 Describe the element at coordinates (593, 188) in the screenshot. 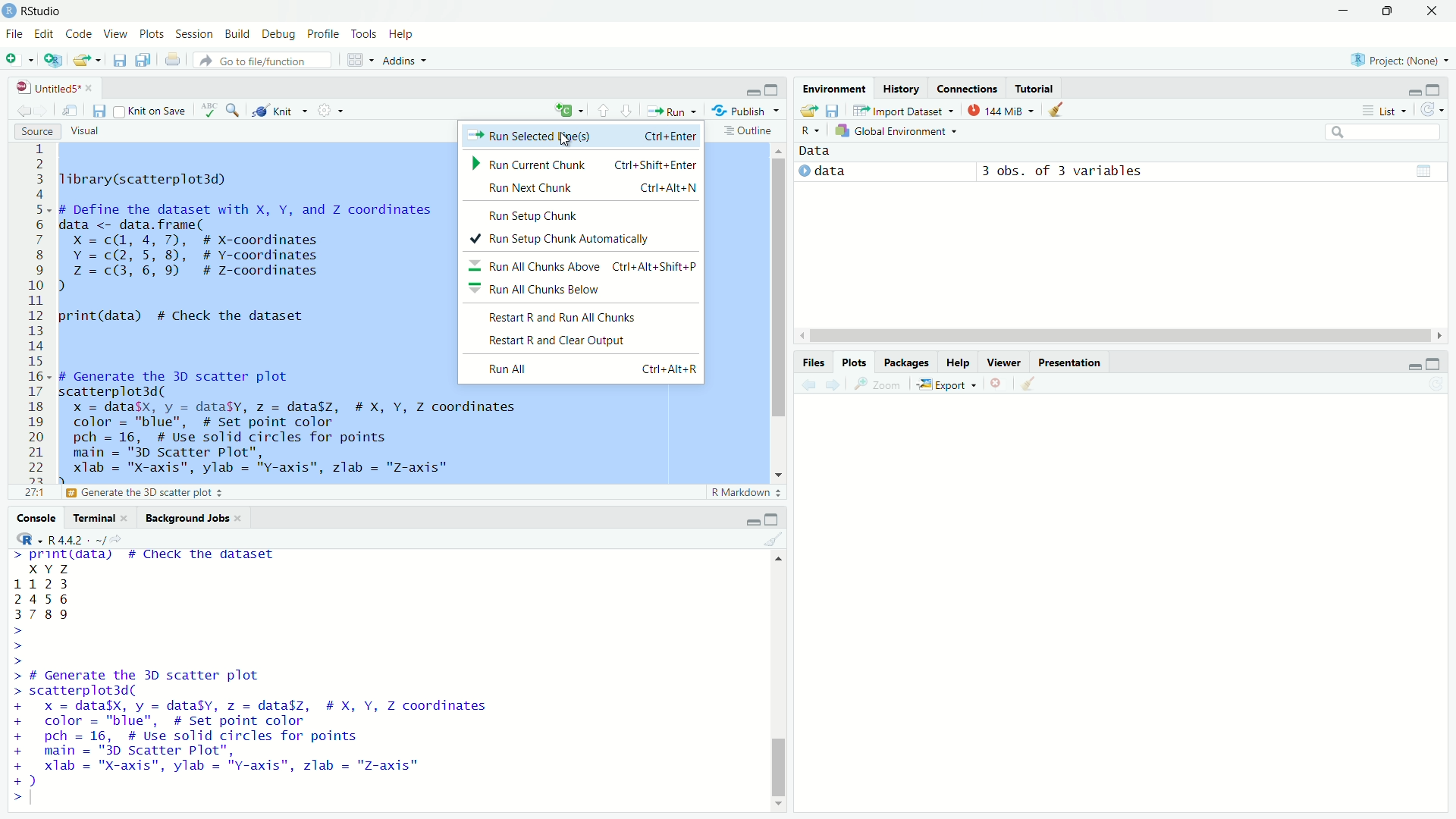

I see `Run Next Chunk` at that location.